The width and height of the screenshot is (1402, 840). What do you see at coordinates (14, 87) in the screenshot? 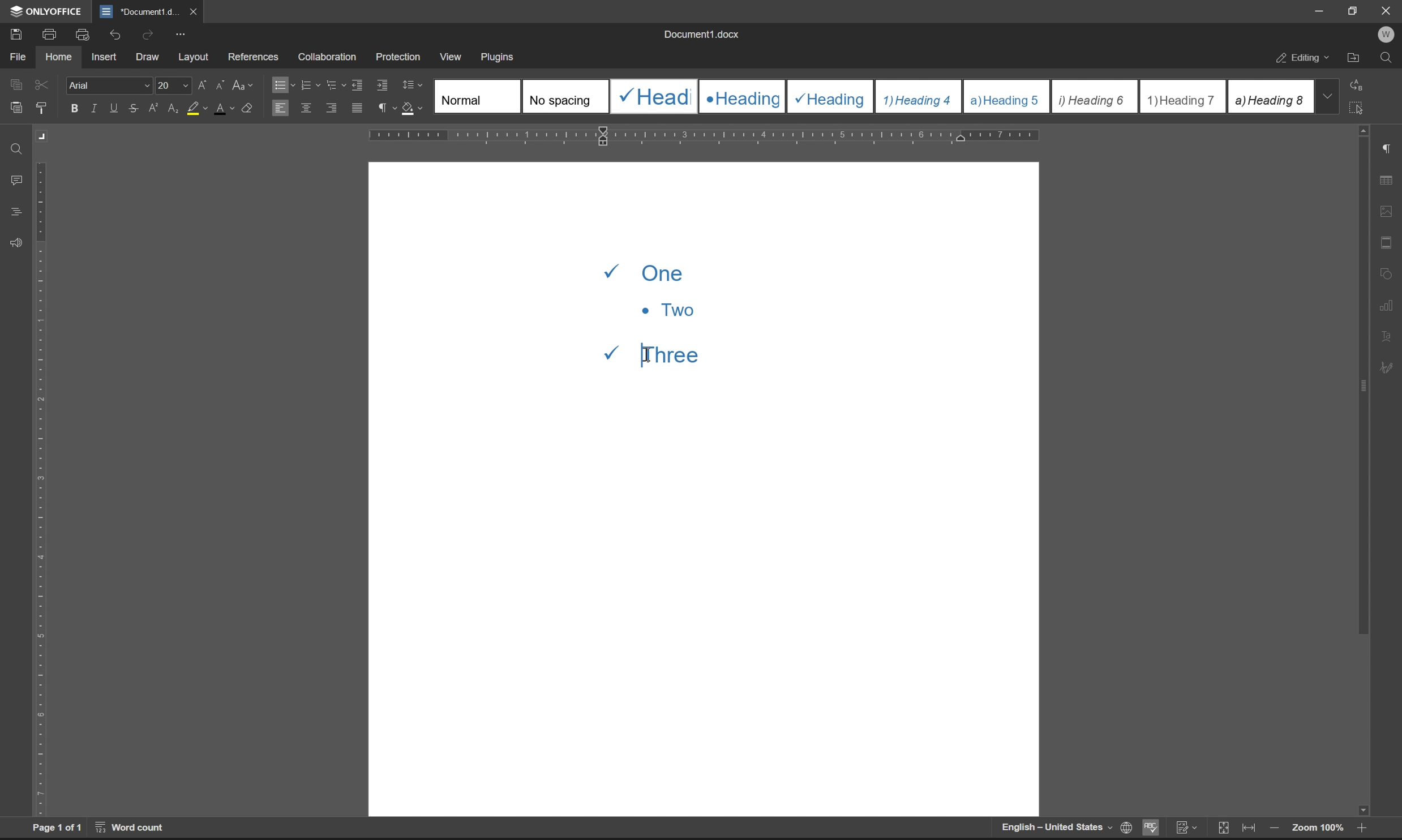
I see `caopy` at bounding box center [14, 87].